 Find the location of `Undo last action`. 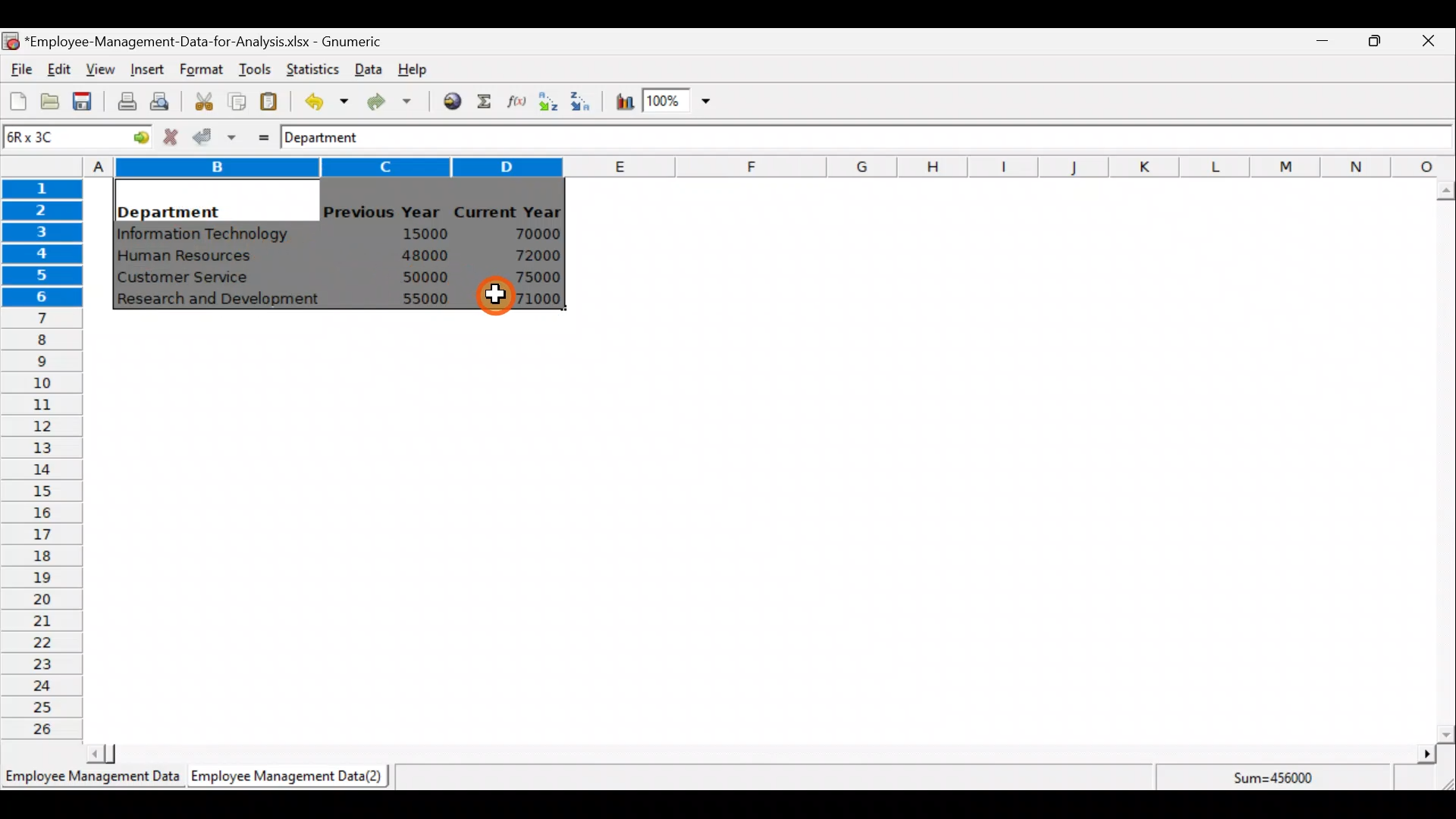

Undo last action is located at coordinates (318, 98).